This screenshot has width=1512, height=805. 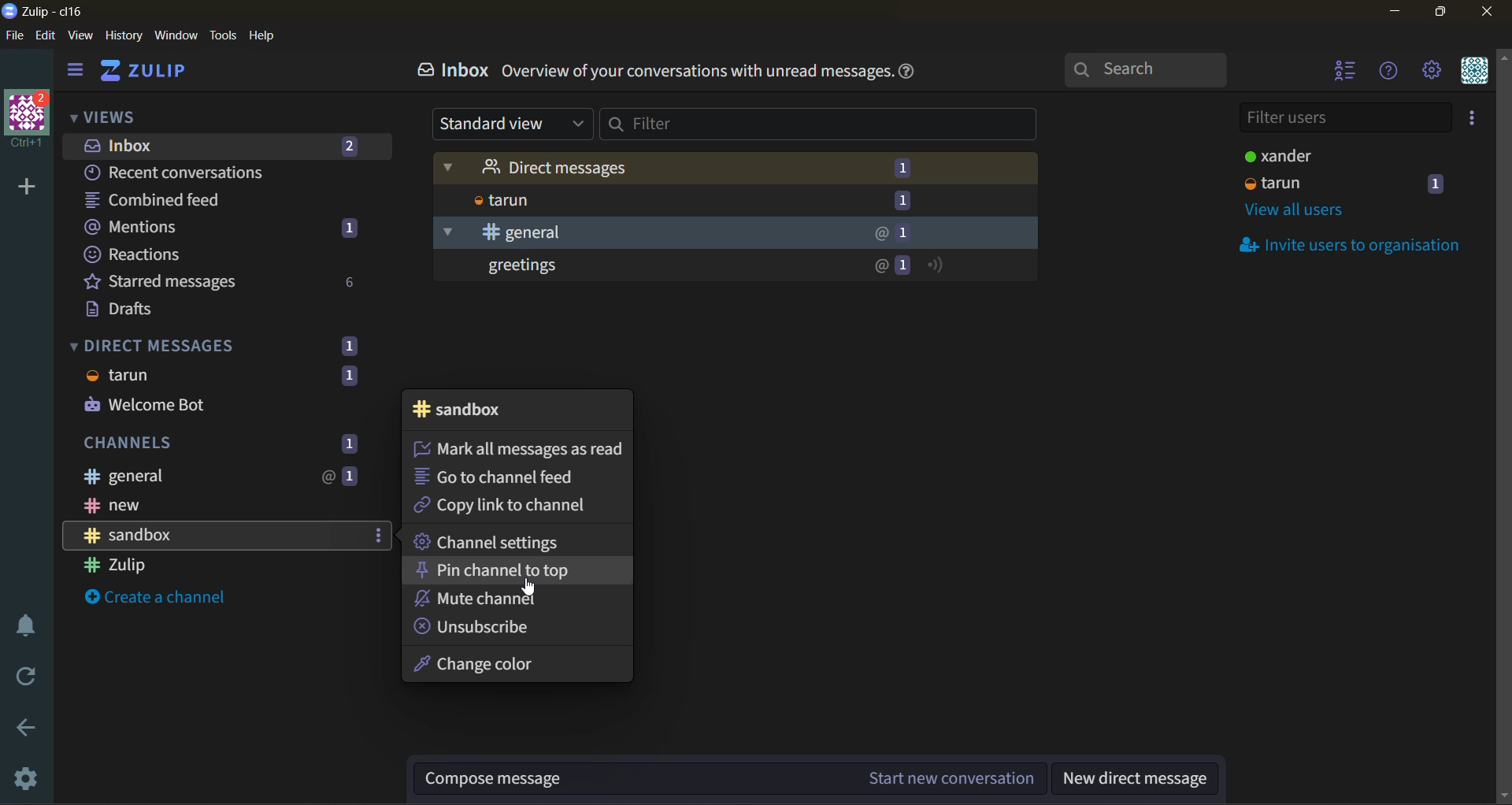 I want to click on drafts, so click(x=139, y=311).